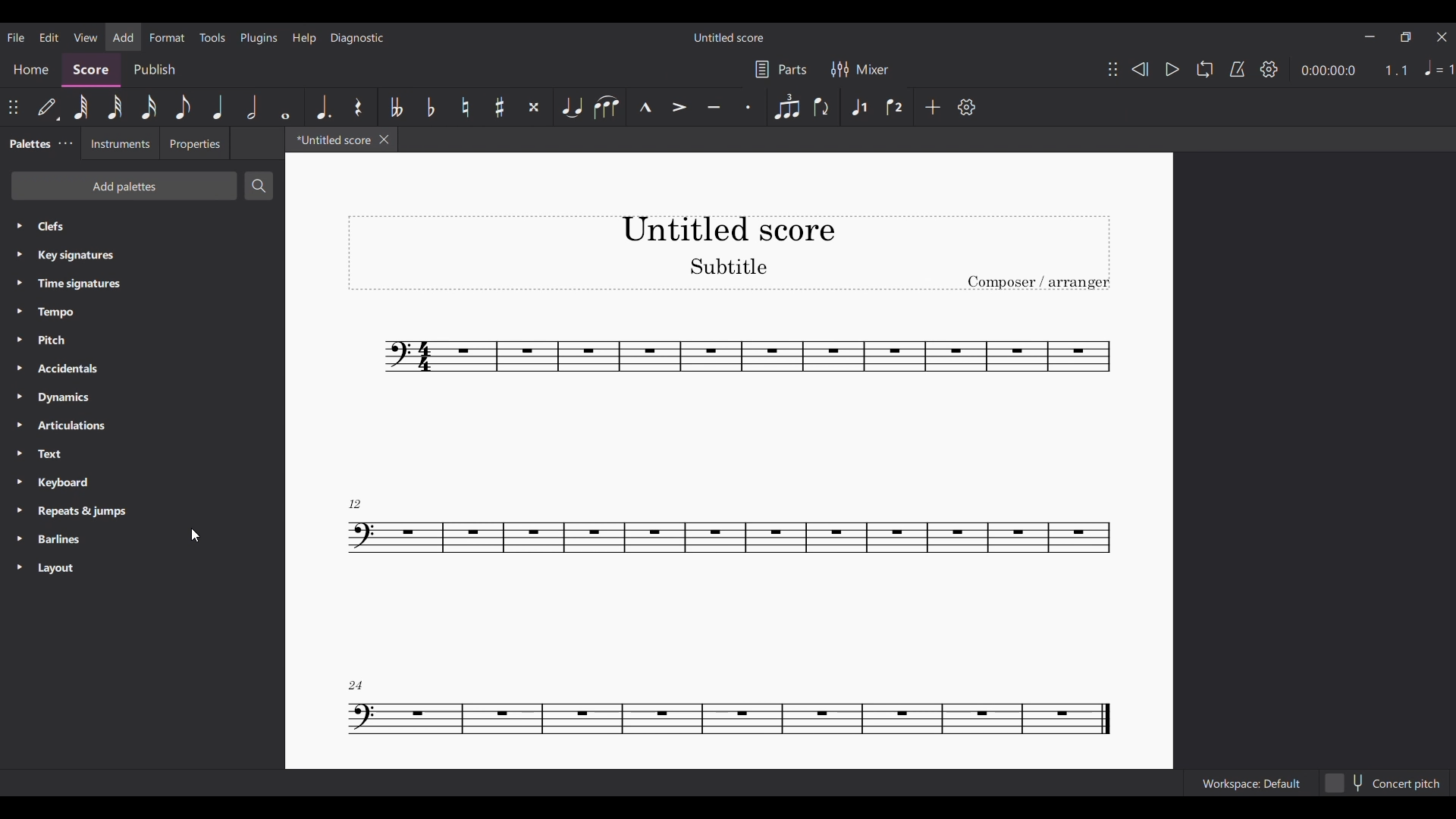  What do you see at coordinates (358, 38) in the screenshot?
I see `Diagnostic` at bounding box center [358, 38].